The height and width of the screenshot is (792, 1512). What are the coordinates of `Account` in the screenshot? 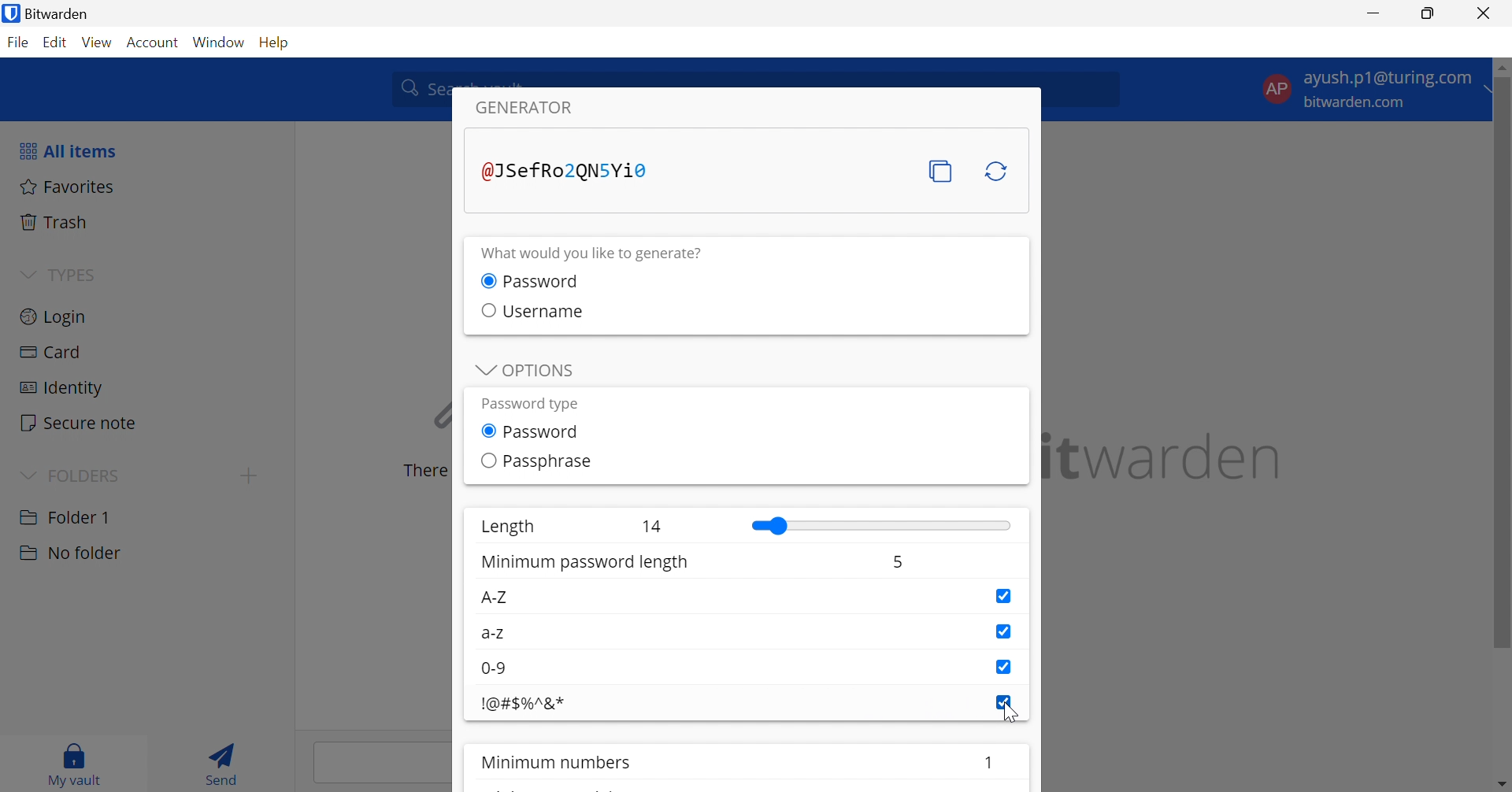 It's located at (152, 43).